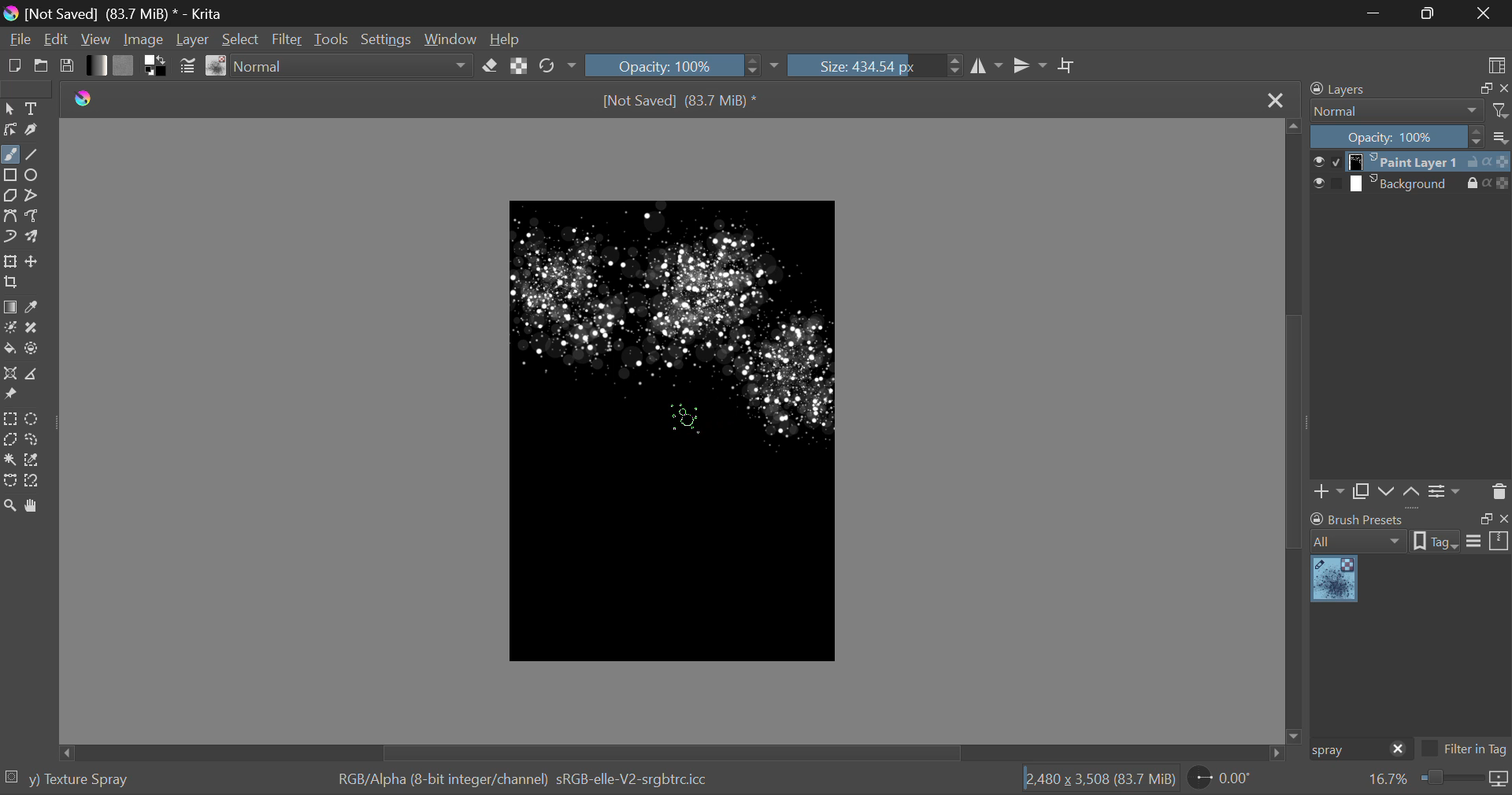  What do you see at coordinates (37, 482) in the screenshot?
I see `Magnetic Selection` at bounding box center [37, 482].